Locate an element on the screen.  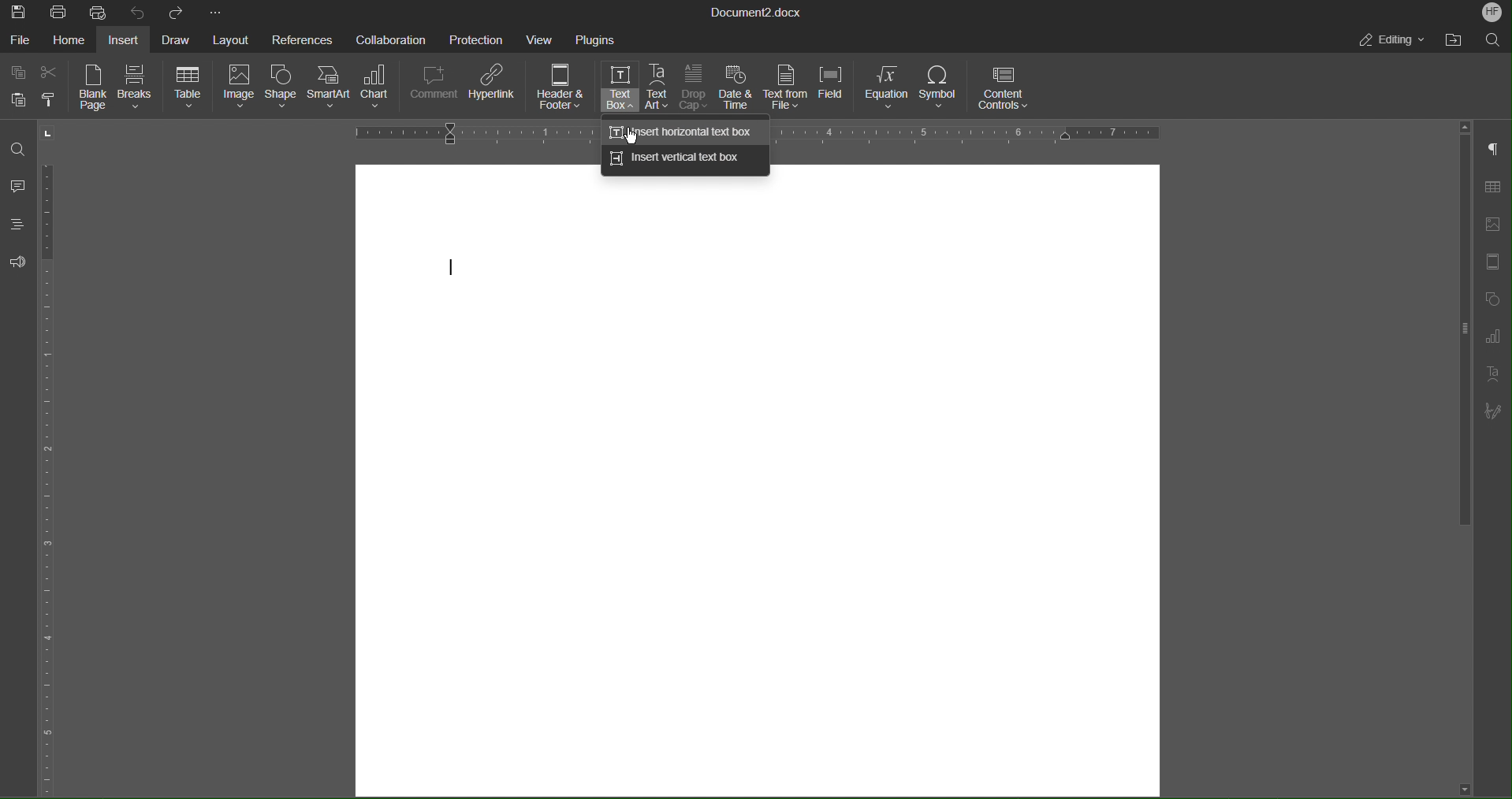
Editing is located at coordinates (1395, 42).